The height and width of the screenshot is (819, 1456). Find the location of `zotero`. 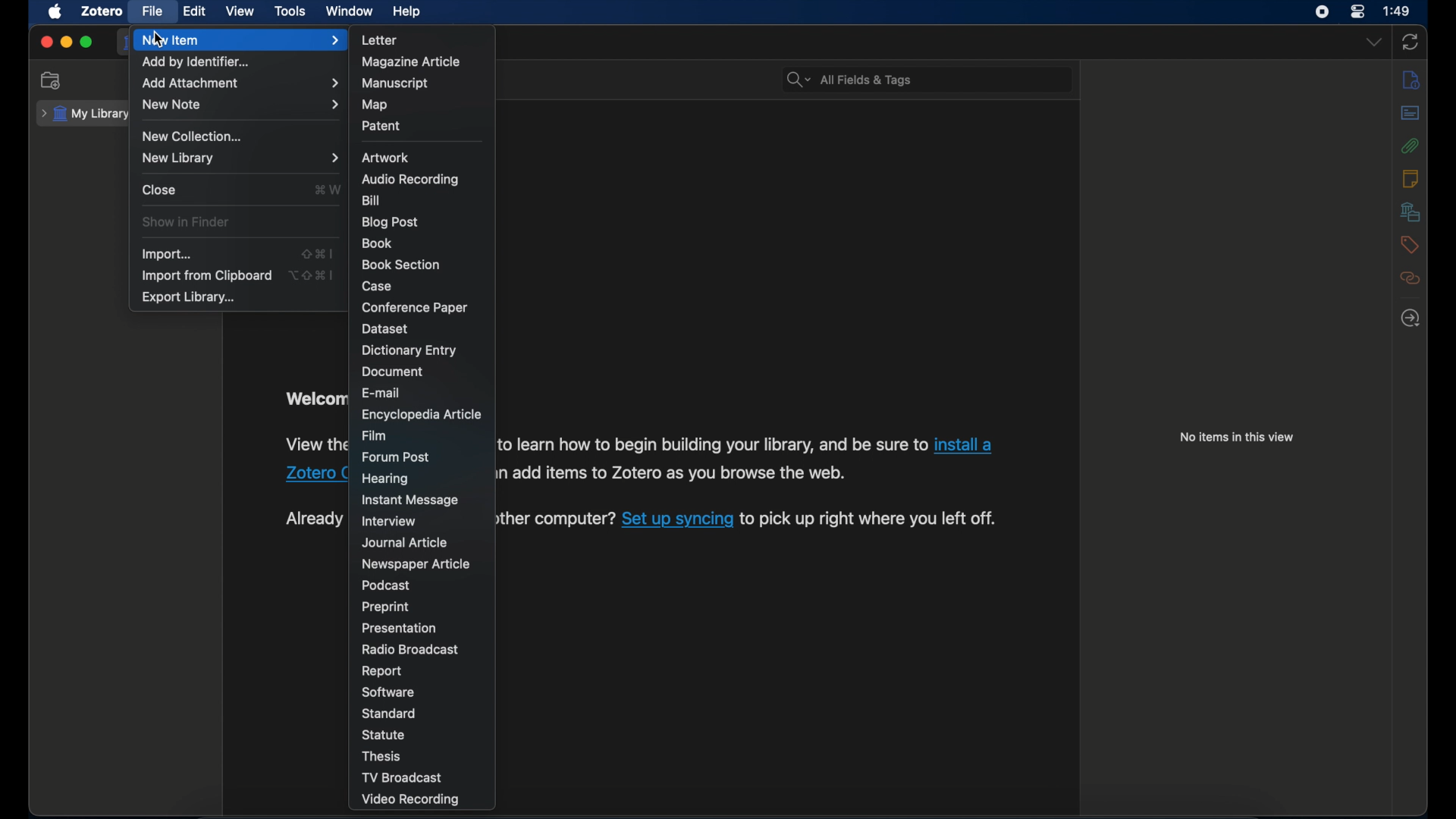

zotero is located at coordinates (101, 11).